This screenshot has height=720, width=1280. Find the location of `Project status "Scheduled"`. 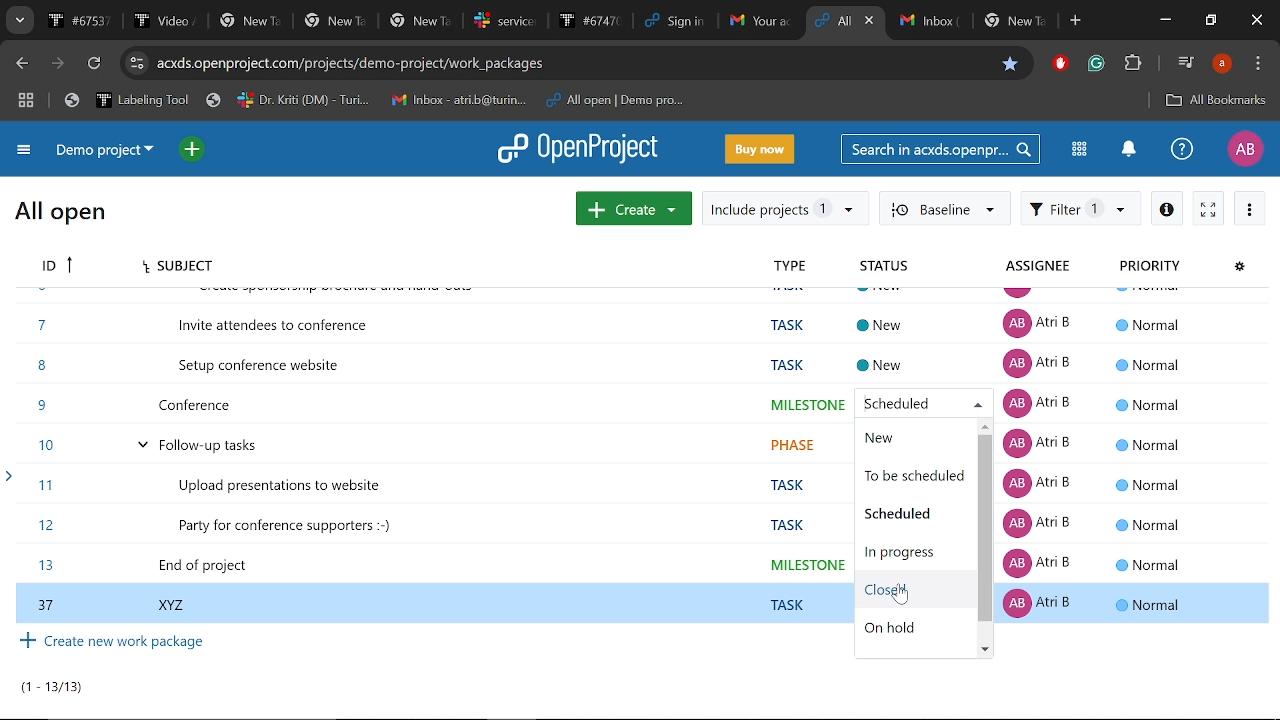

Project status "Scheduled" is located at coordinates (903, 514).